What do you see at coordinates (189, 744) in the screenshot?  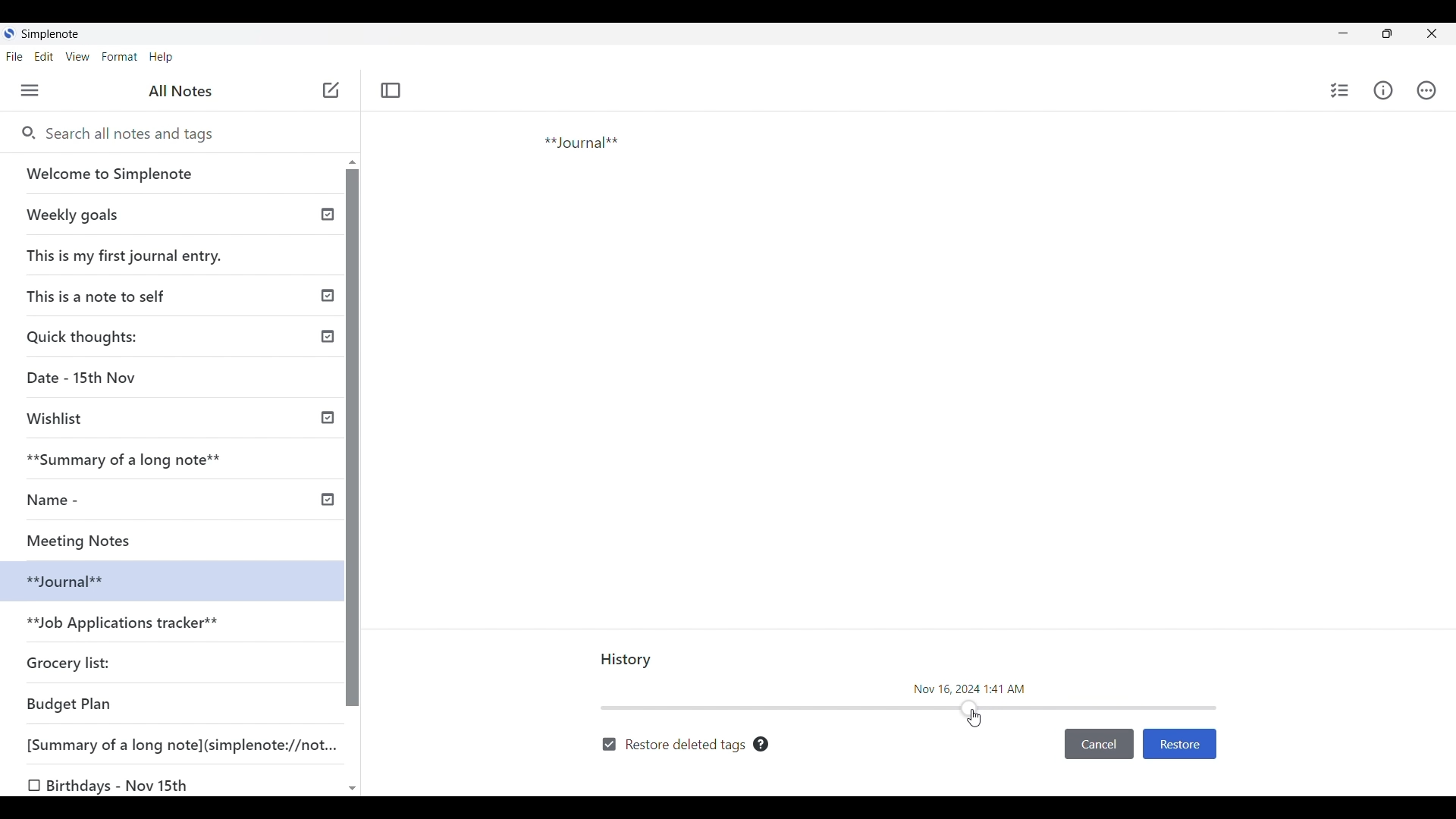 I see `[Summary of a long note](simplenote://not...` at bounding box center [189, 744].